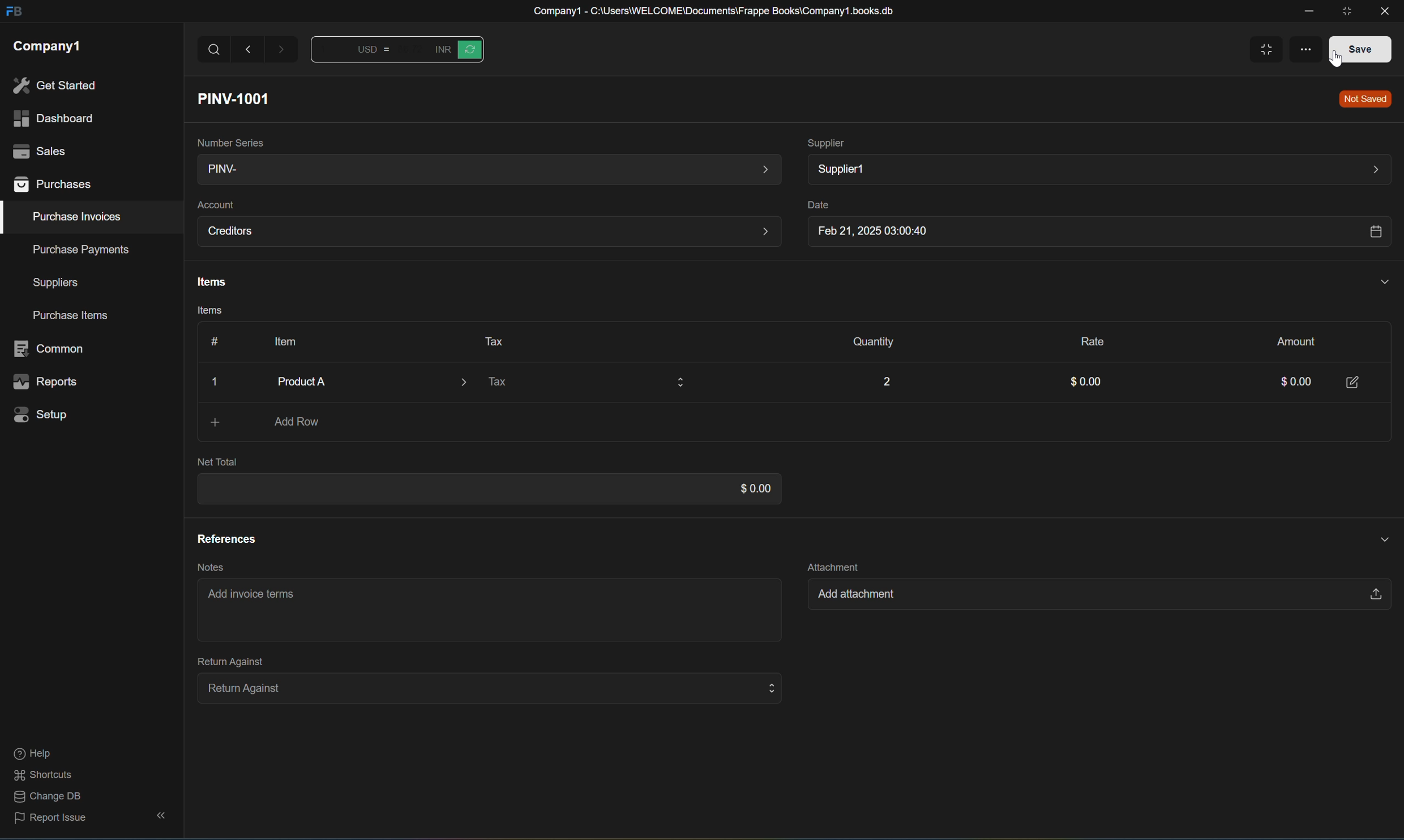  Describe the element at coordinates (224, 661) in the screenshot. I see `Return Against` at that location.